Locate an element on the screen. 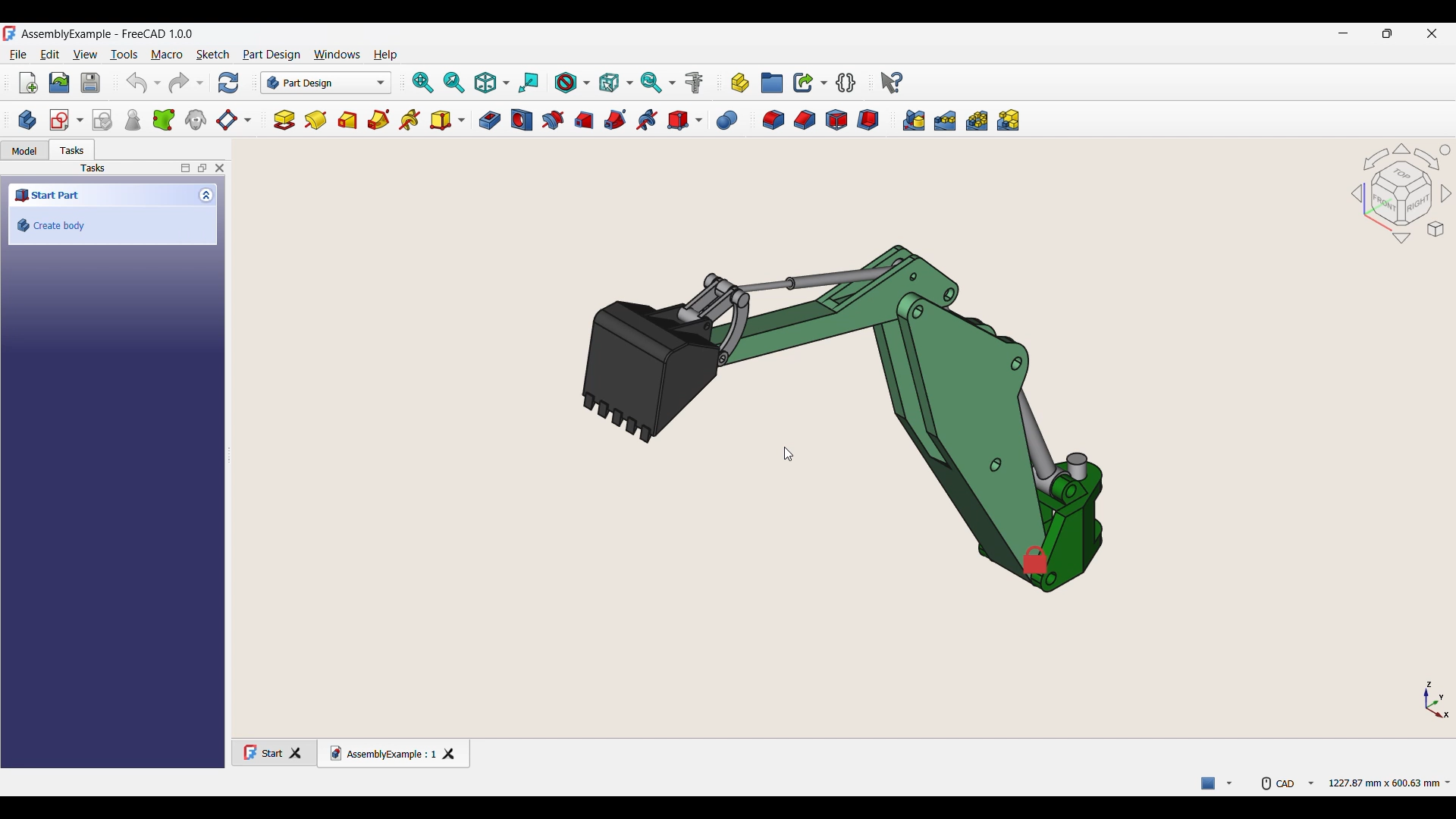  Sketch menu  is located at coordinates (213, 55).